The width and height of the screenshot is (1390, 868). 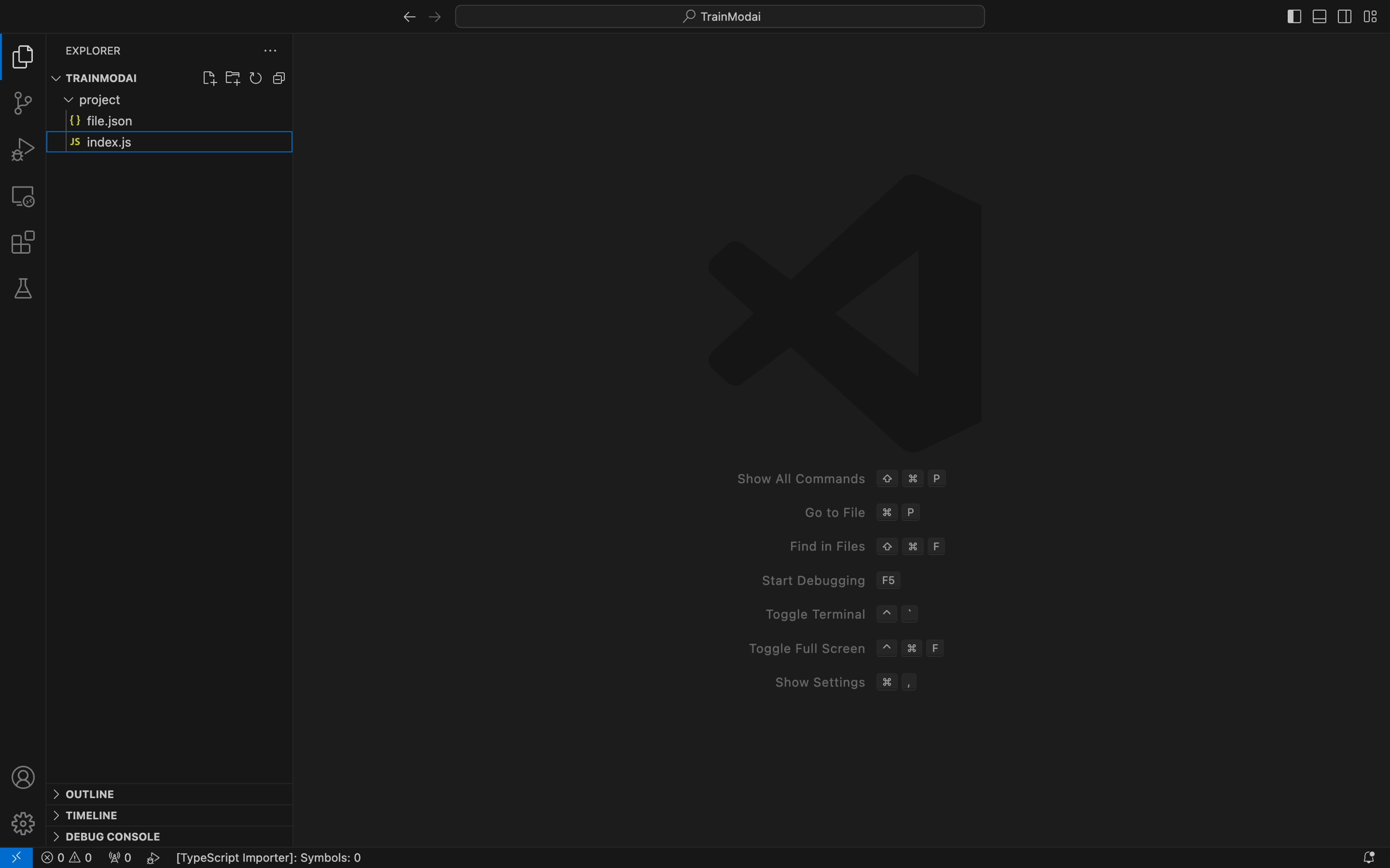 I want to click on Explorer, so click(x=100, y=49).